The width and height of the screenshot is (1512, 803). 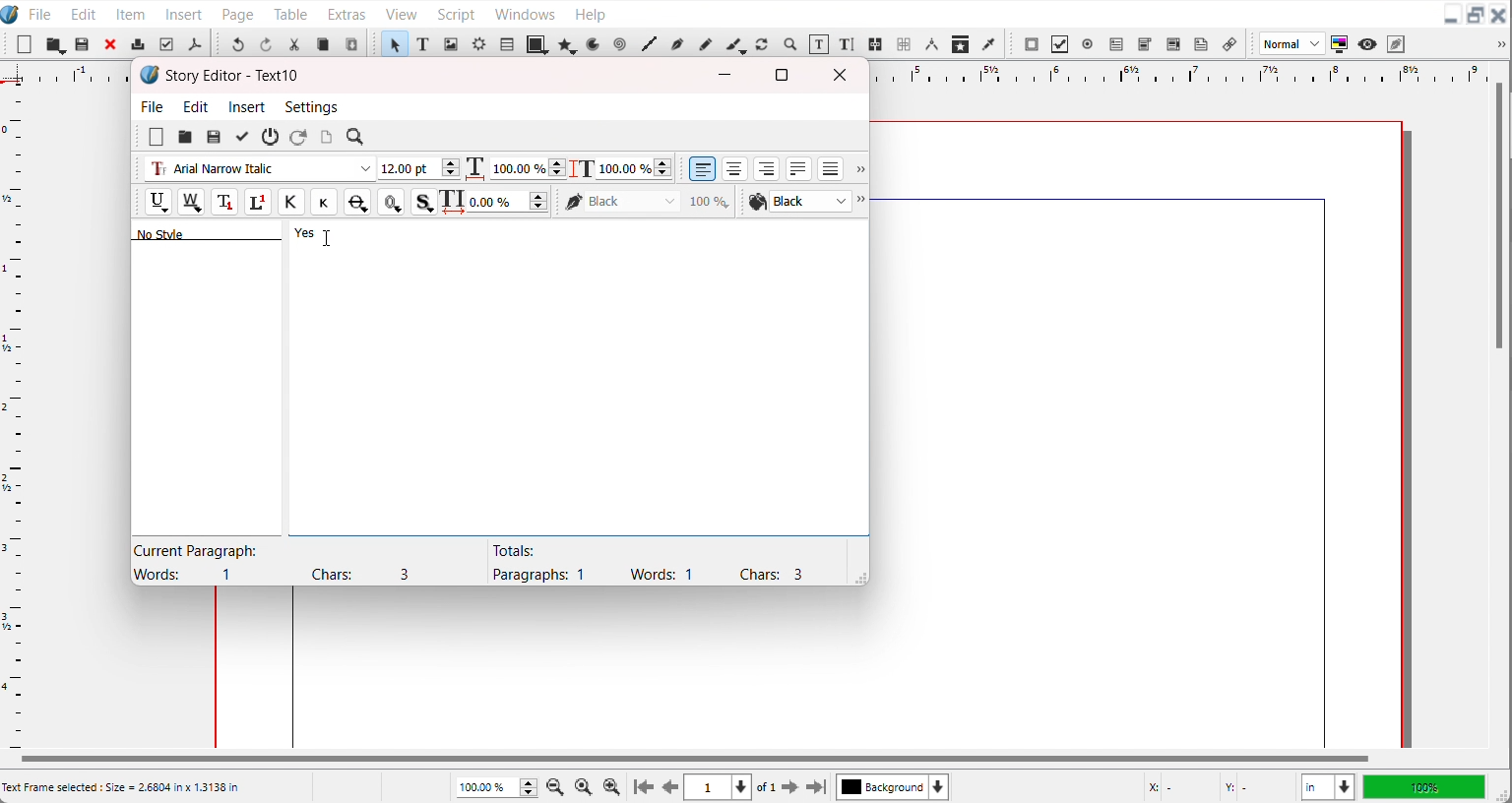 What do you see at coordinates (290, 202) in the screenshot?
I see `All caps` at bounding box center [290, 202].